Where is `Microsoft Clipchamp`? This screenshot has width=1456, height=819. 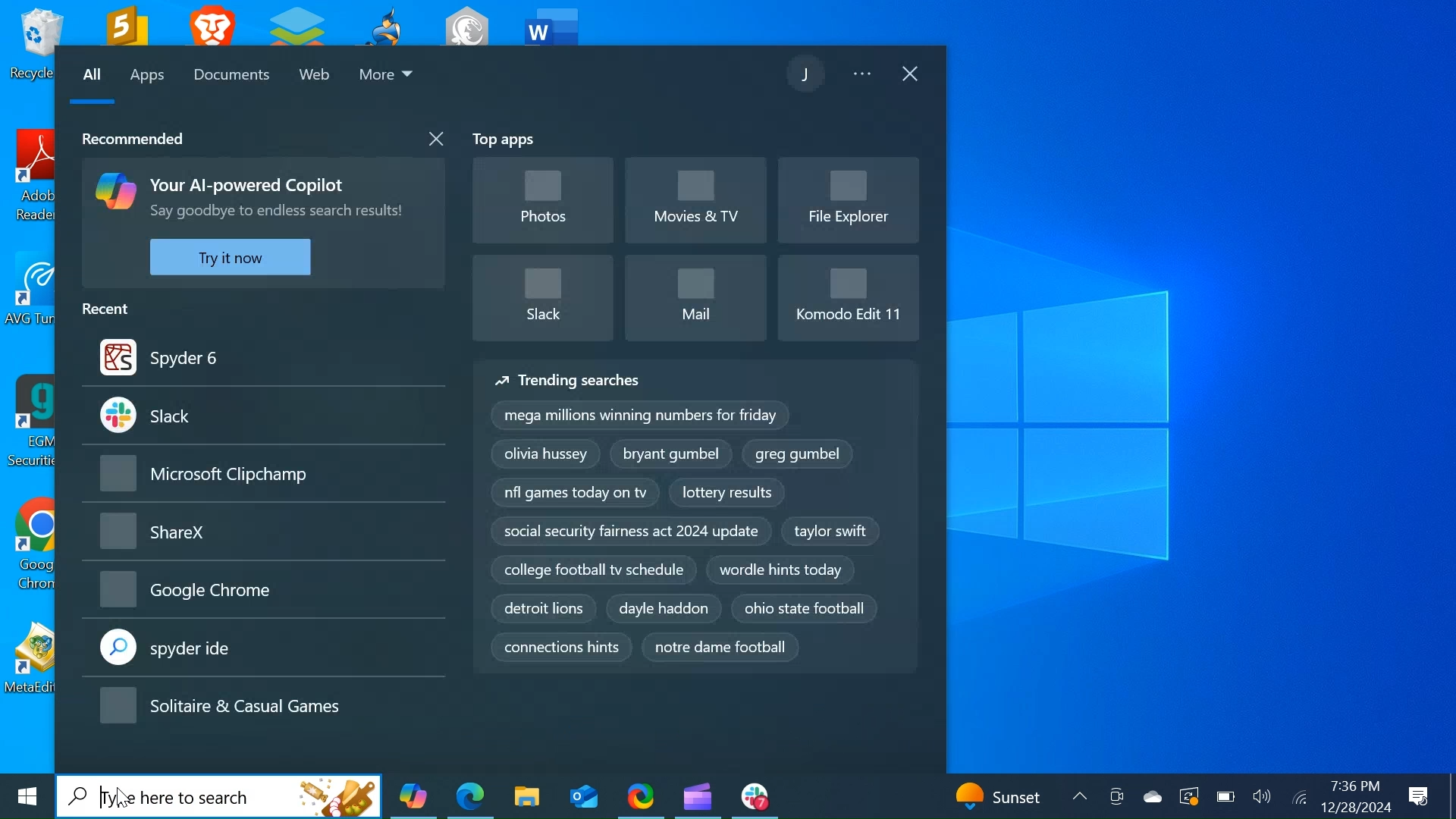 Microsoft Clipchamp is located at coordinates (697, 795).